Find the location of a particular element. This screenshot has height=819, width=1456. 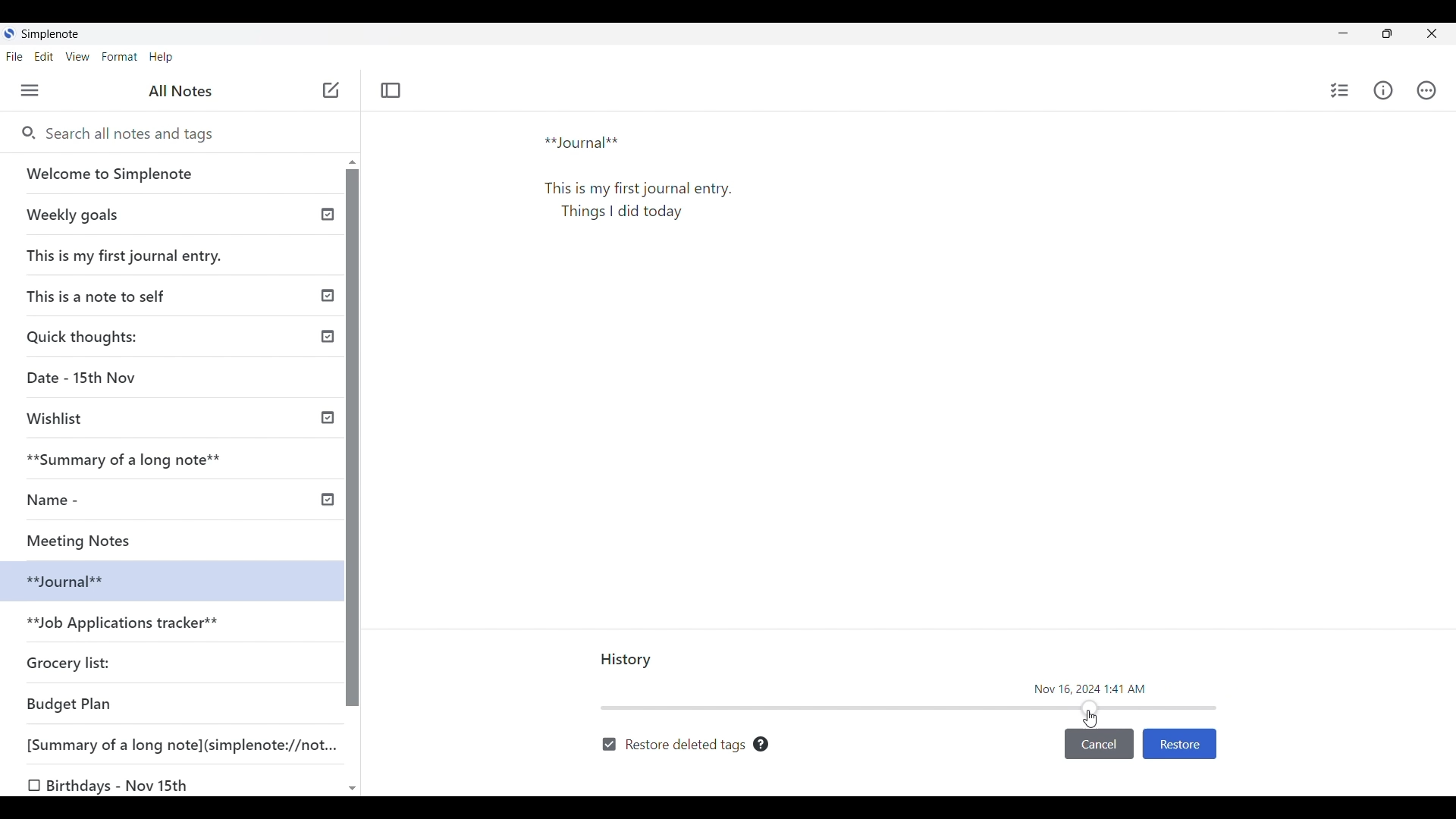

Meeting Notes is located at coordinates (96, 538).